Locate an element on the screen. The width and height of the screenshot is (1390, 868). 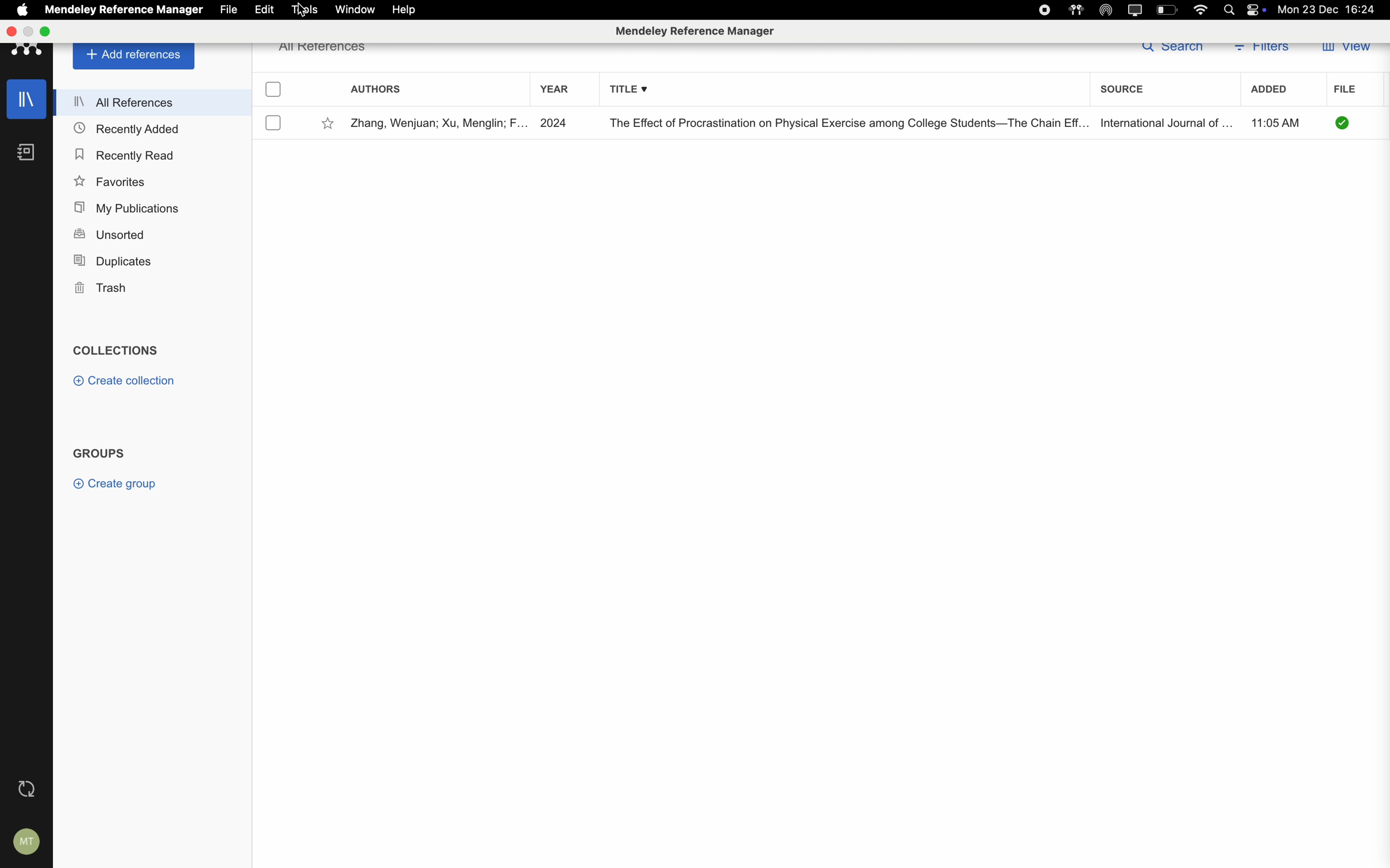
checkbox is located at coordinates (276, 90).